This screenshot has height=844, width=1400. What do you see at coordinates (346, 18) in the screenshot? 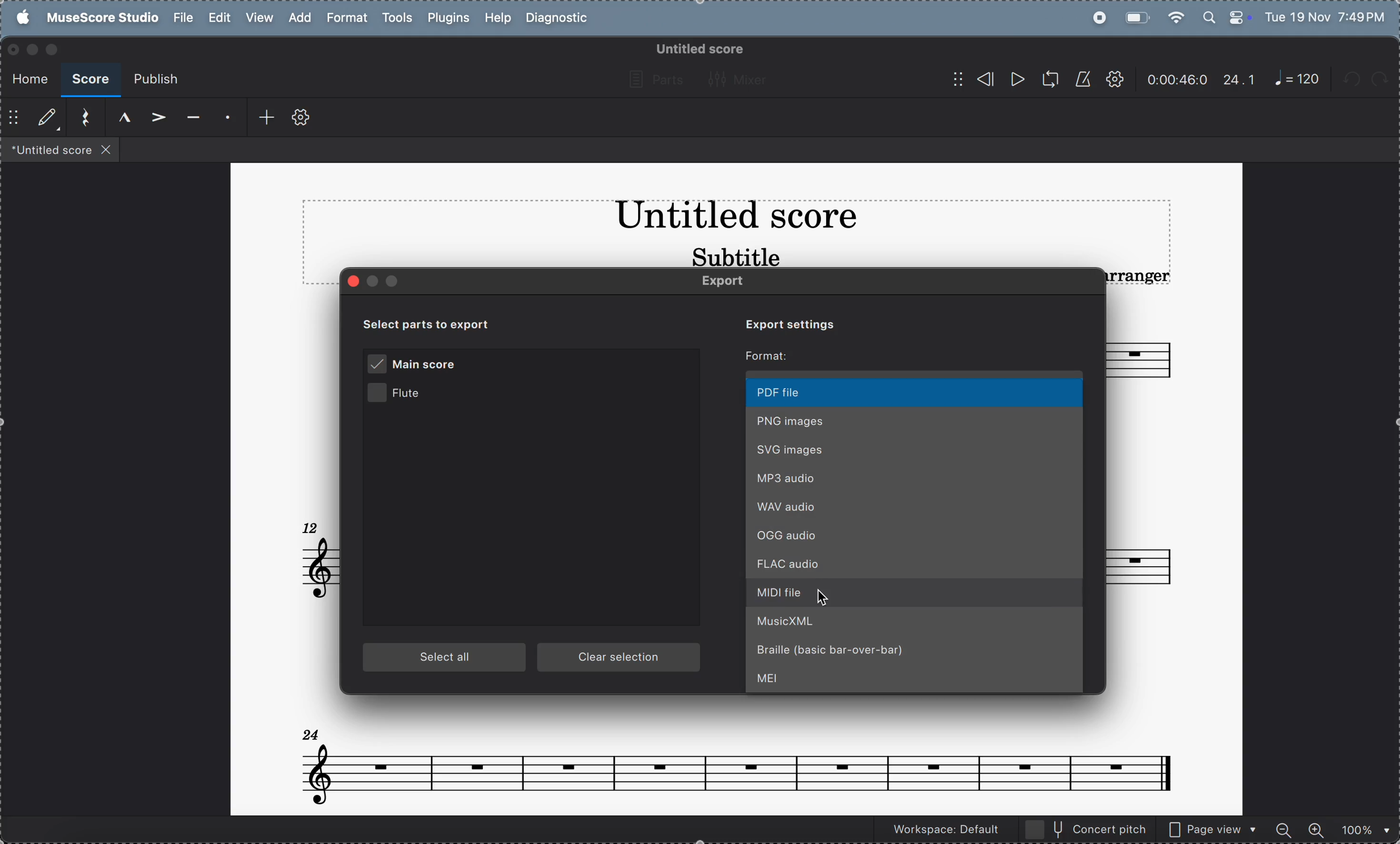
I see `format` at bounding box center [346, 18].